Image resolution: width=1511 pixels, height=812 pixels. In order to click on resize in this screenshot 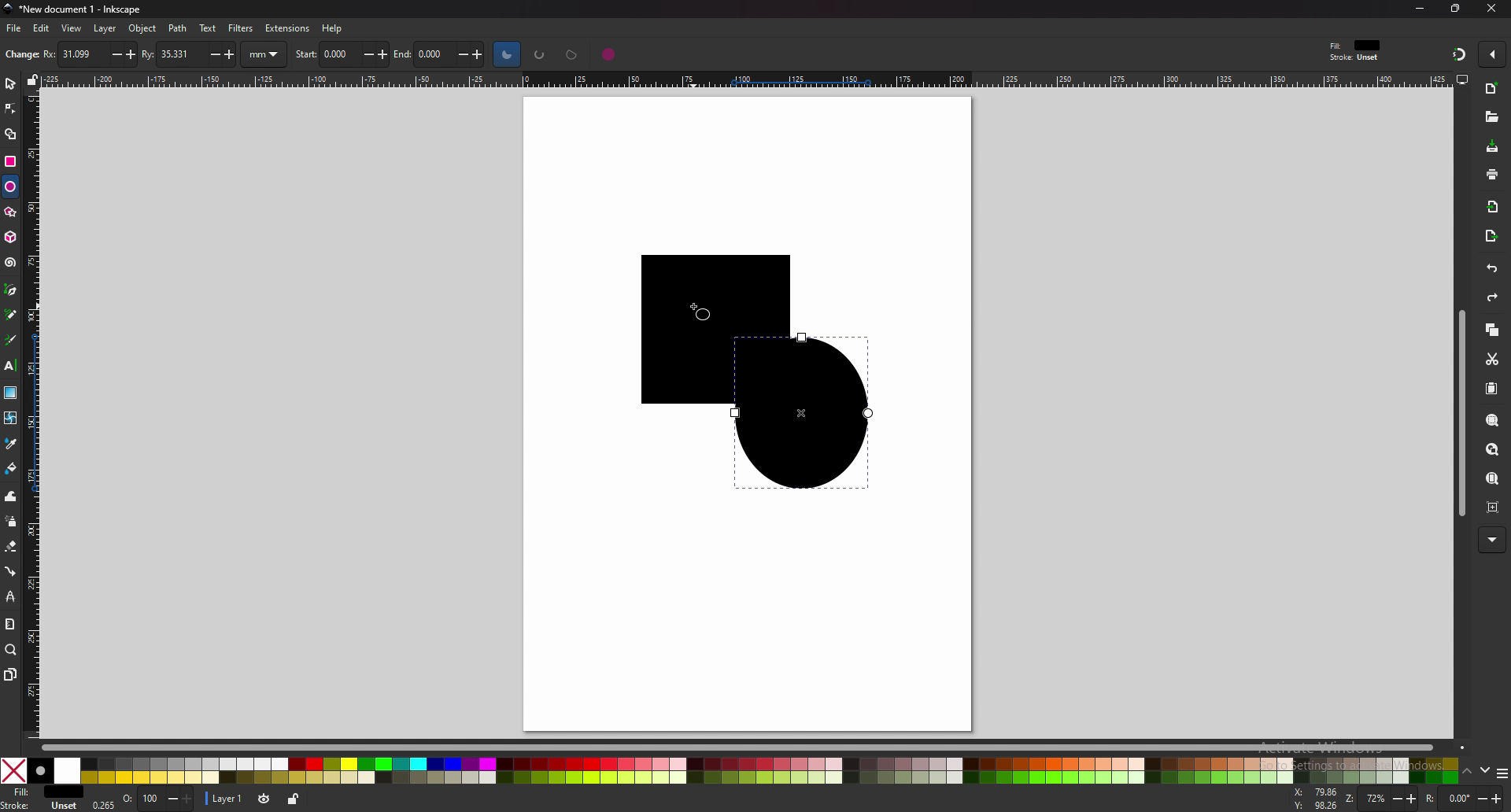, I will do `click(1455, 9)`.